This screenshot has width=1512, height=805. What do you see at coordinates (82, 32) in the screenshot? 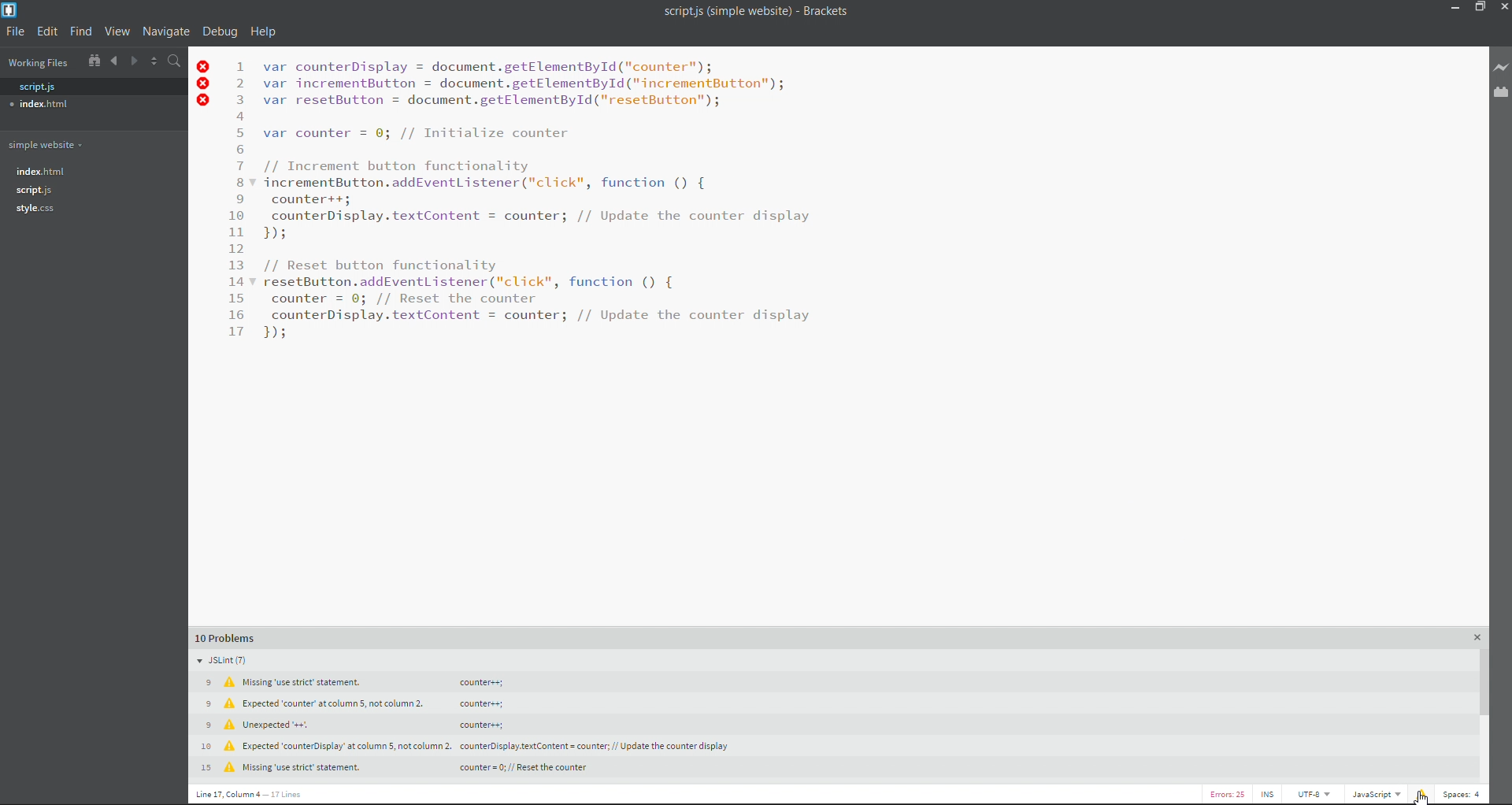
I see `find` at bounding box center [82, 32].